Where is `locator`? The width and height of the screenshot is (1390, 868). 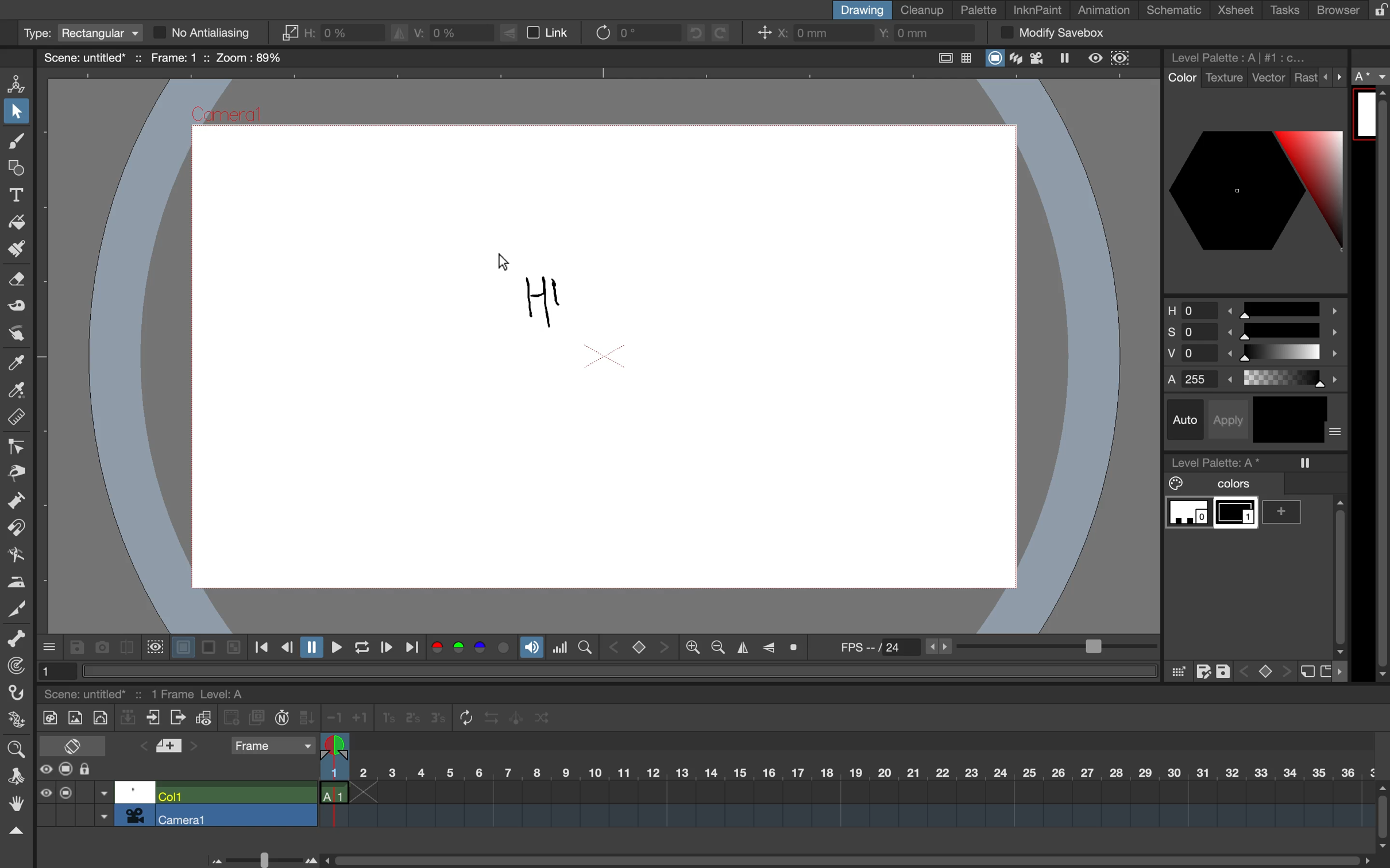
locator is located at coordinates (585, 646).